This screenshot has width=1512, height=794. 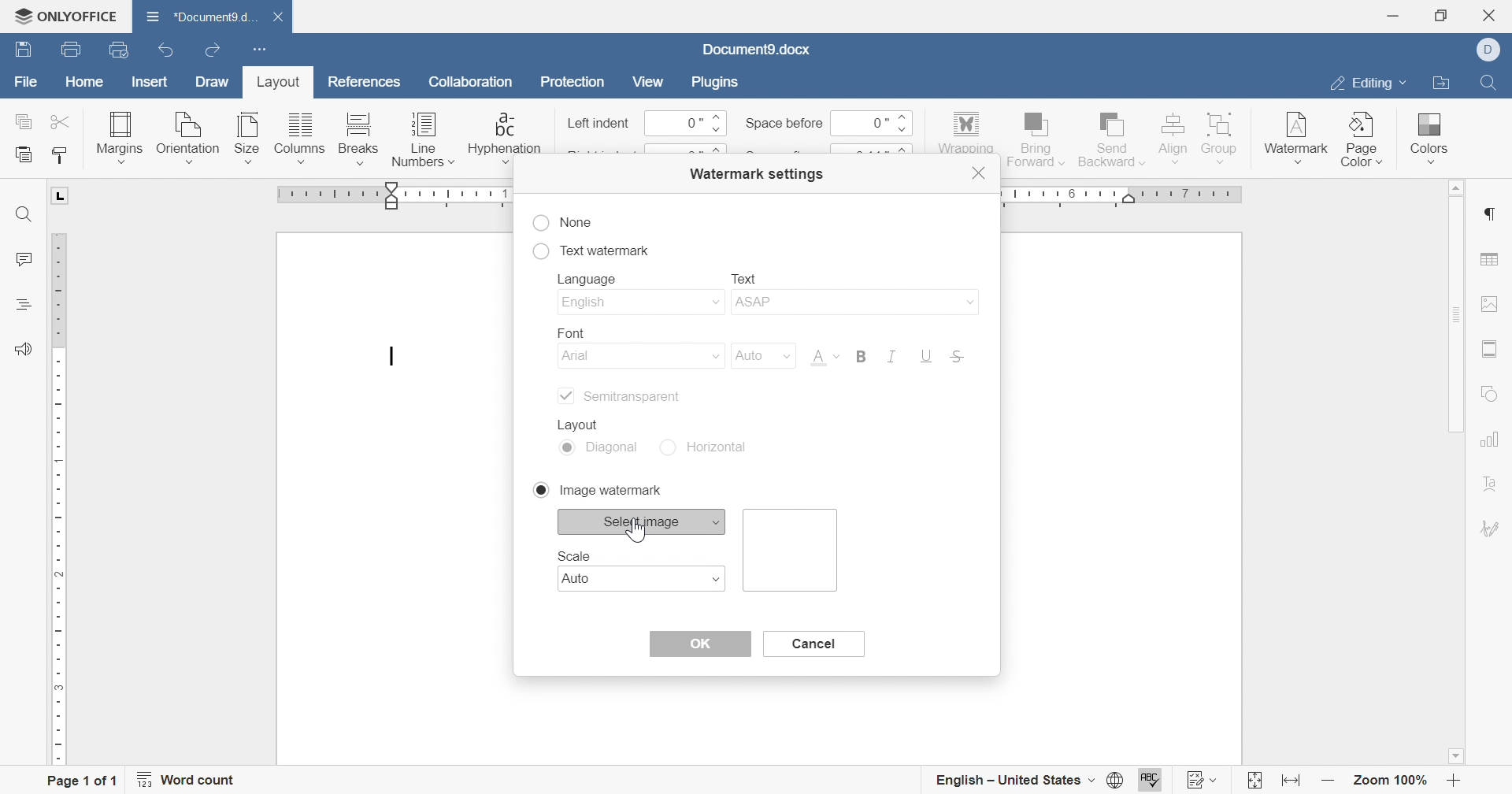 What do you see at coordinates (636, 530) in the screenshot?
I see `cursor` at bounding box center [636, 530].